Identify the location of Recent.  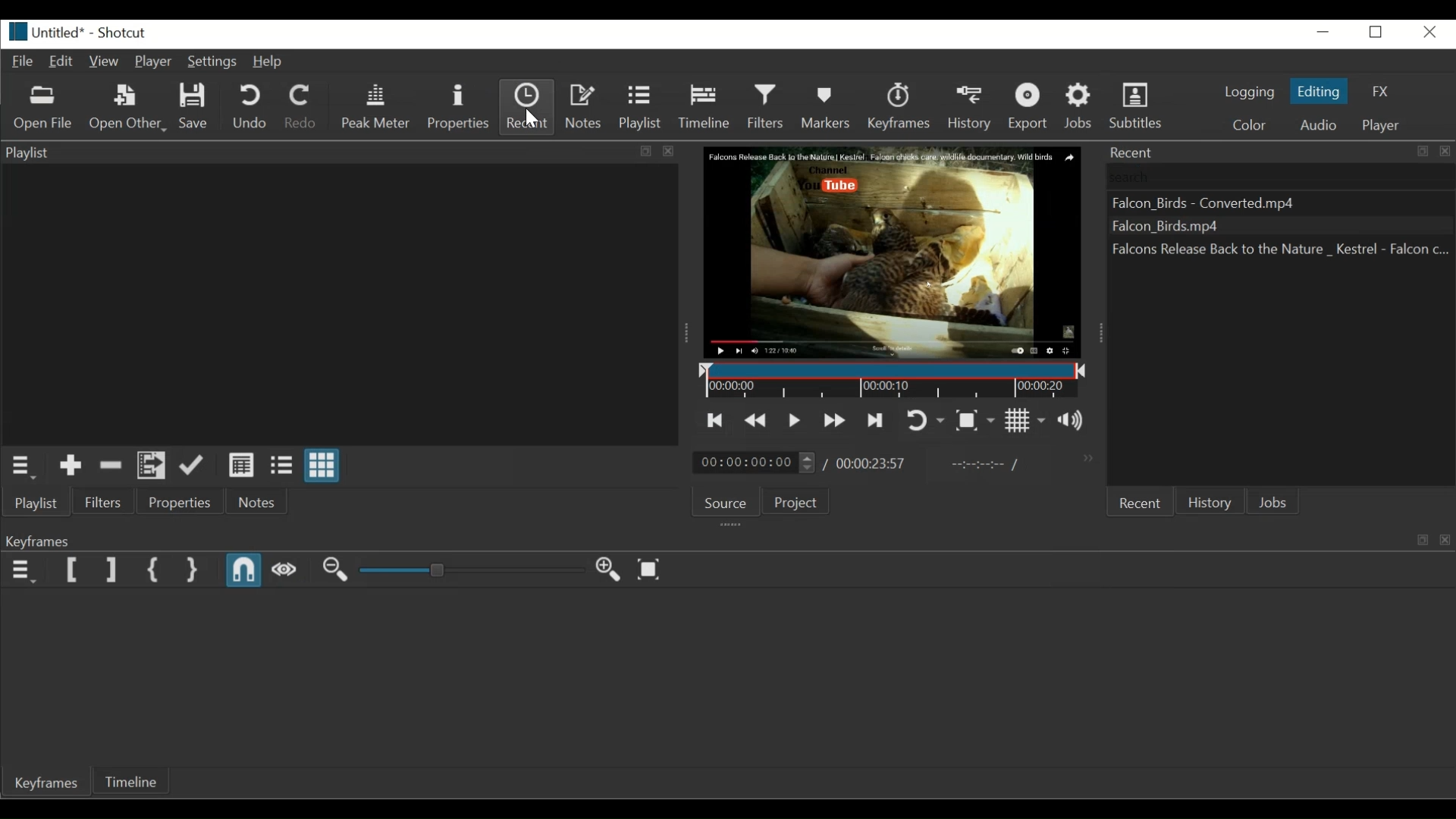
(527, 106).